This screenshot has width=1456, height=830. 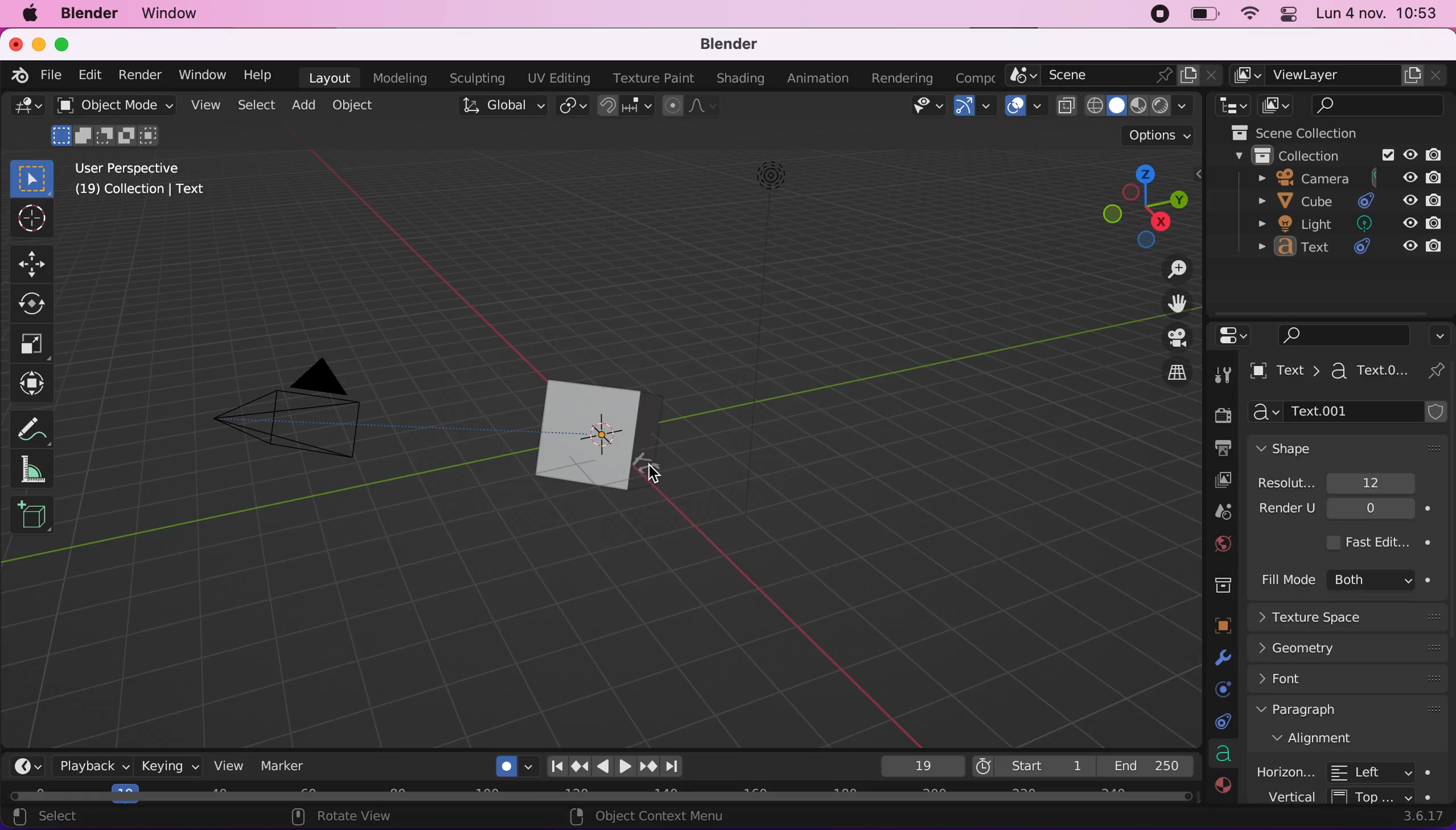 I want to click on composting, so click(x=972, y=76).